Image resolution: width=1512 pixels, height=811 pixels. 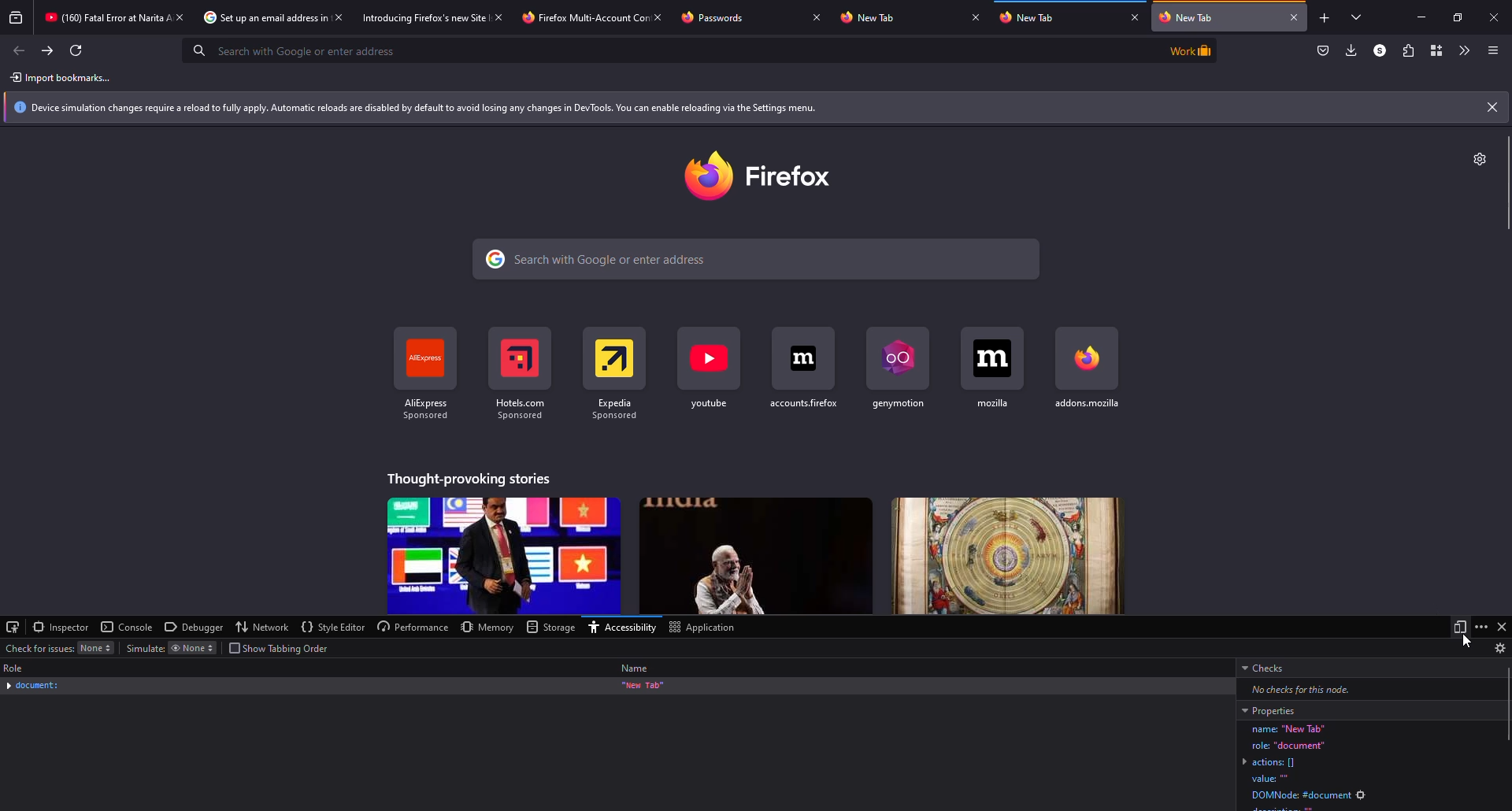 What do you see at coordinates (1034, 19) in the screenshot?
I see `tab` at bounding box center [1034, 19].